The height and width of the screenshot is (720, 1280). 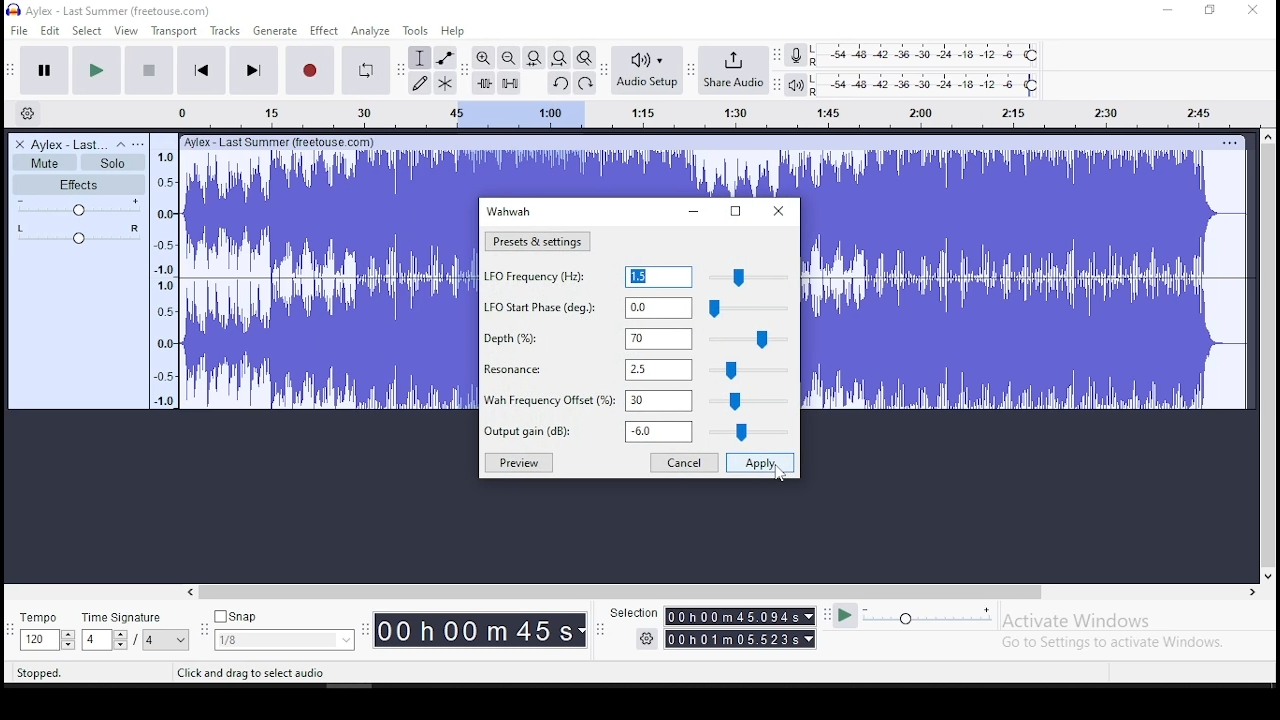 What do you see at coordinates (1253, 11) in the screenshot?
I see `close window` at bounding box center [1253, 11].